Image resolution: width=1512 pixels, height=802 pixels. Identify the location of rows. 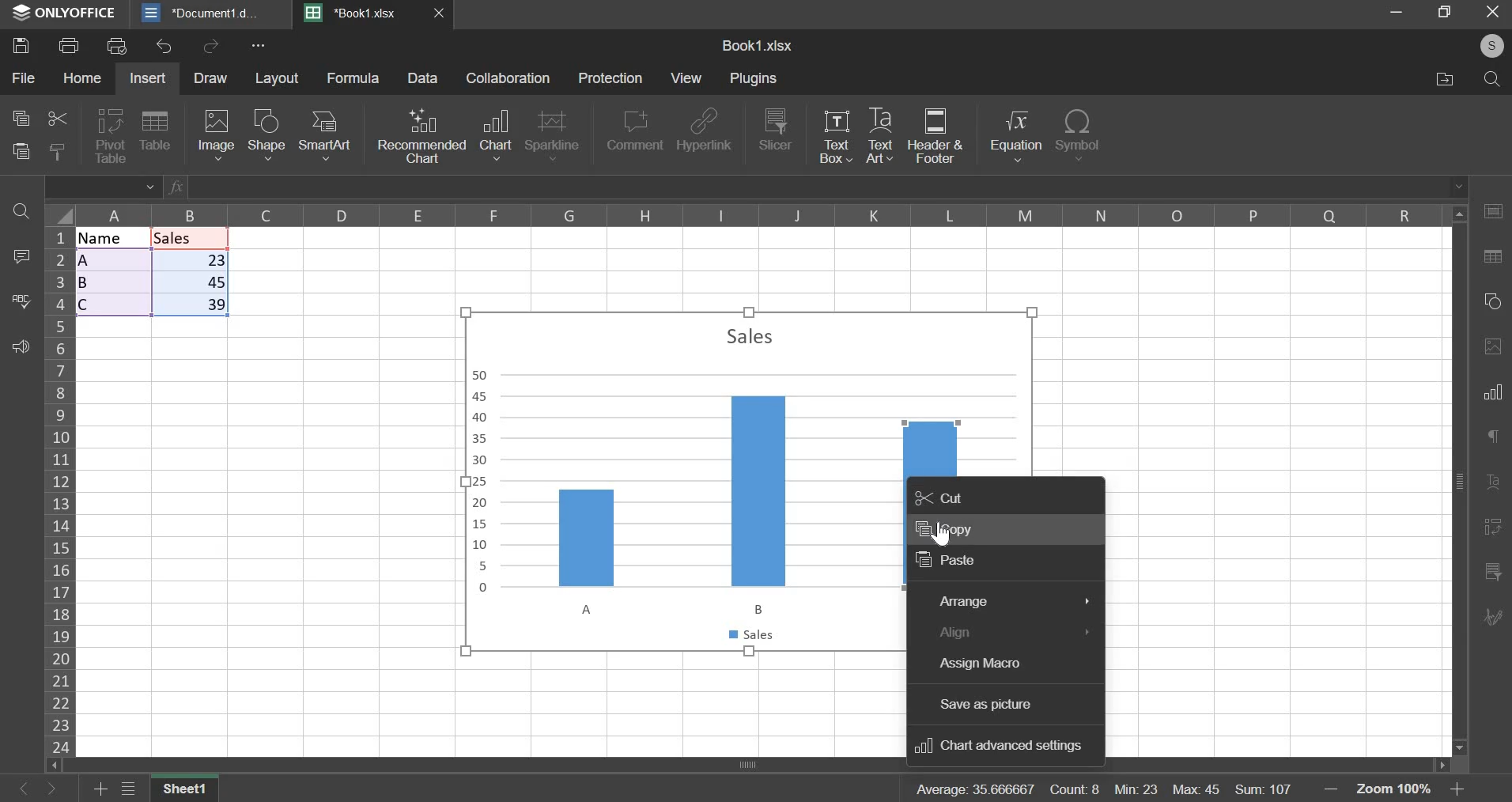
(61, 490).